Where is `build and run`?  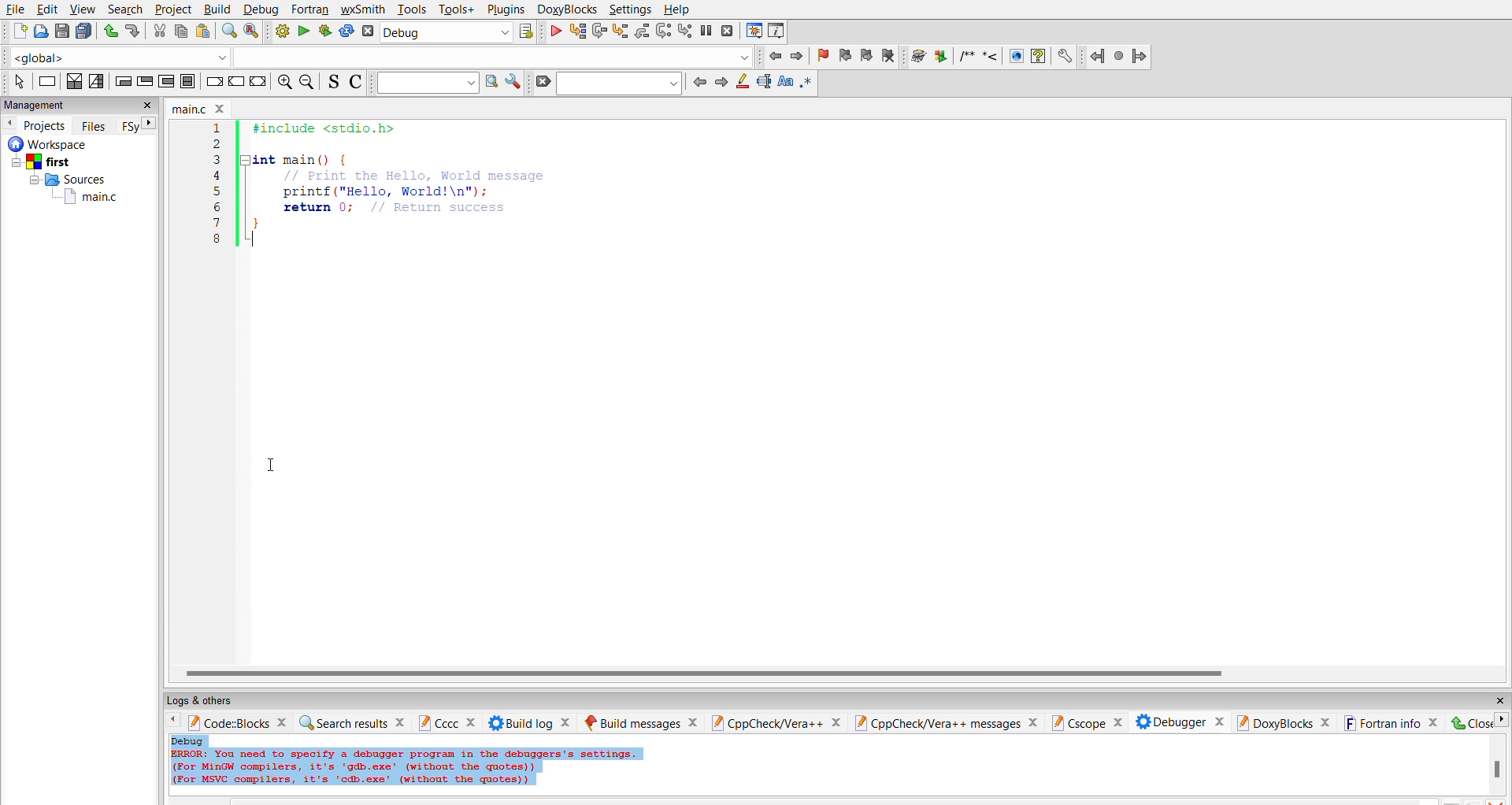
build and run is located at coordinates (324, 31).